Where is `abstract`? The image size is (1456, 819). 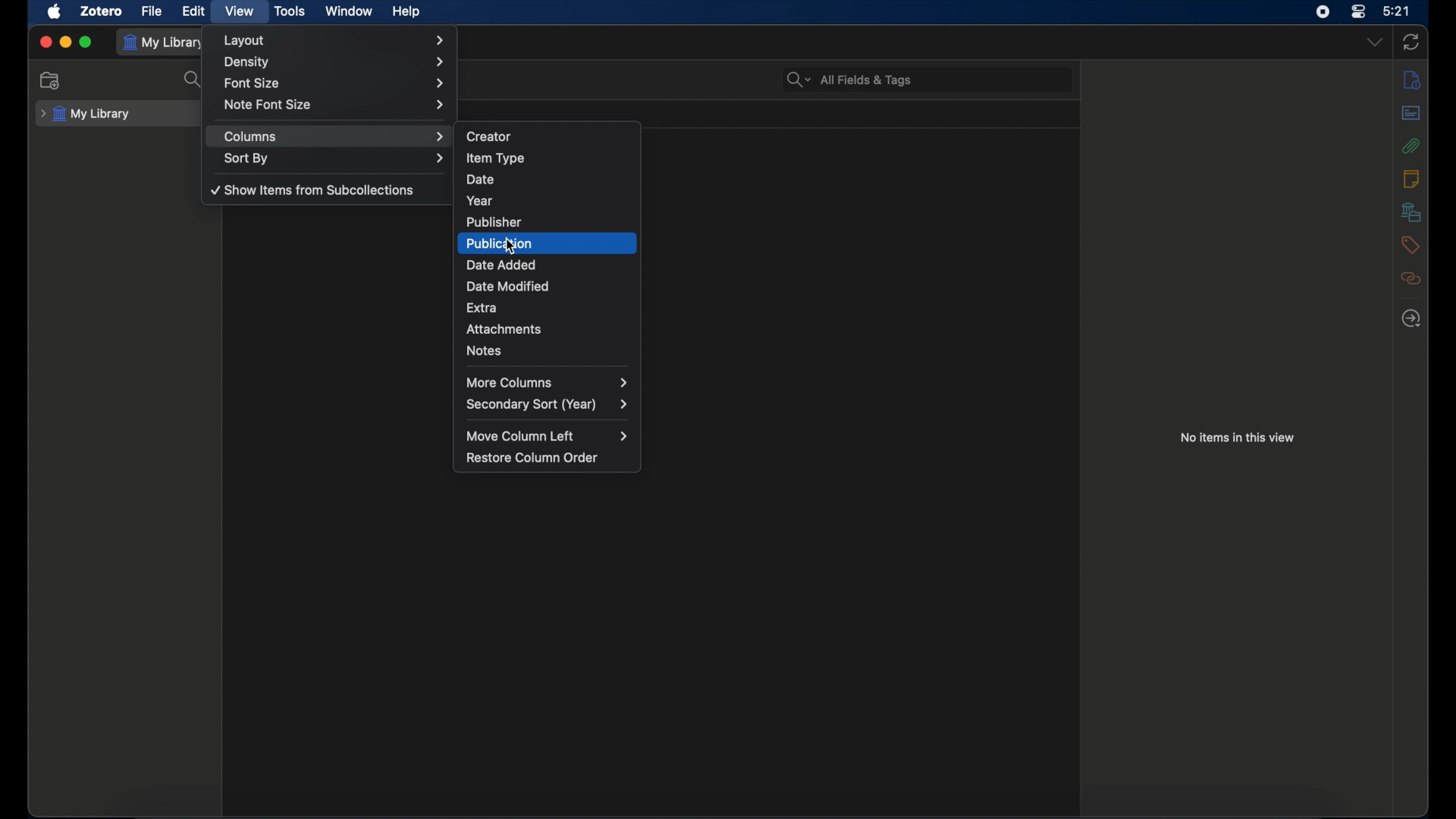 abstract is located at coordinates (1410, 112).